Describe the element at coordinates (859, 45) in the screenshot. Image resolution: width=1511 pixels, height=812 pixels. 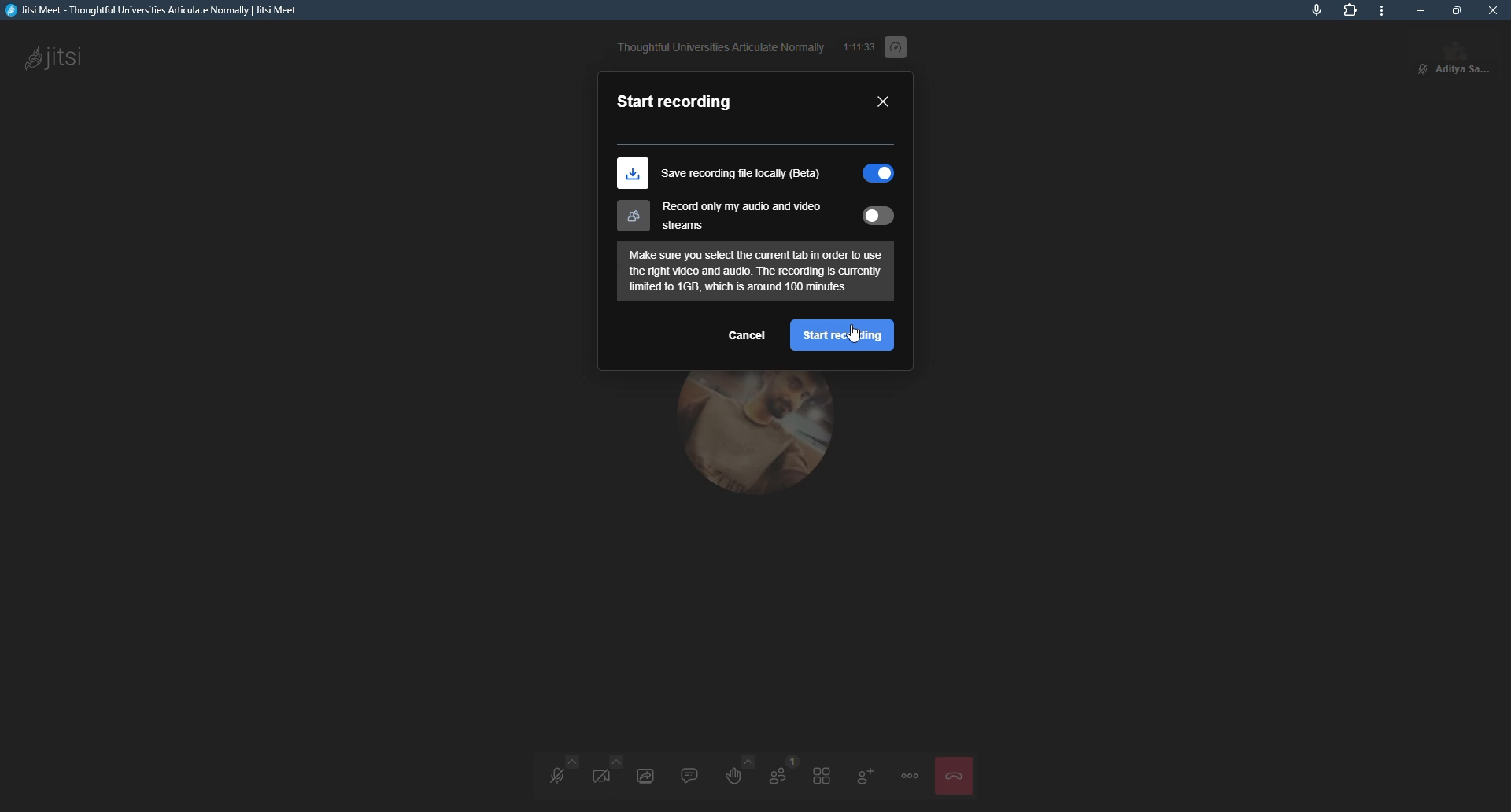
I see `1:11:28` at that location.